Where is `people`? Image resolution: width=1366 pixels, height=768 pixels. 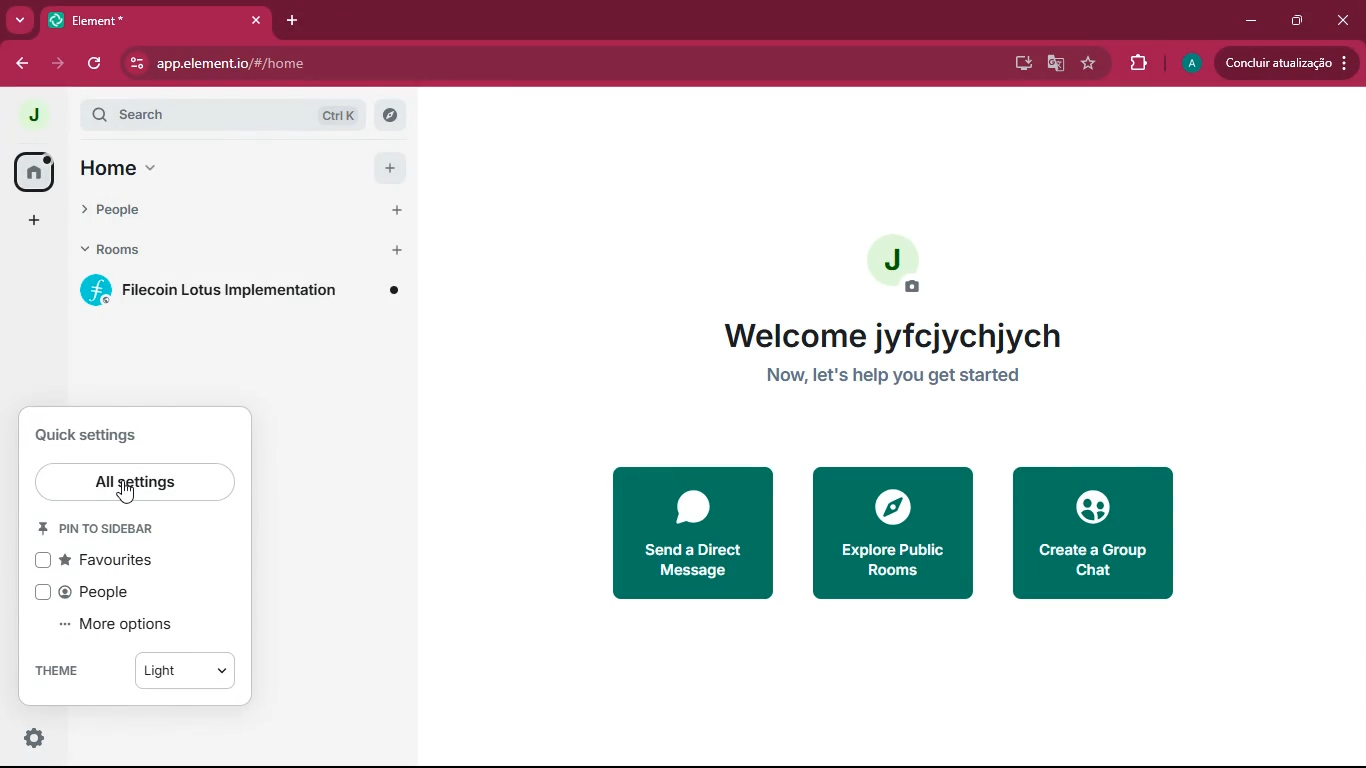 people is located at coordinates (218, 211).